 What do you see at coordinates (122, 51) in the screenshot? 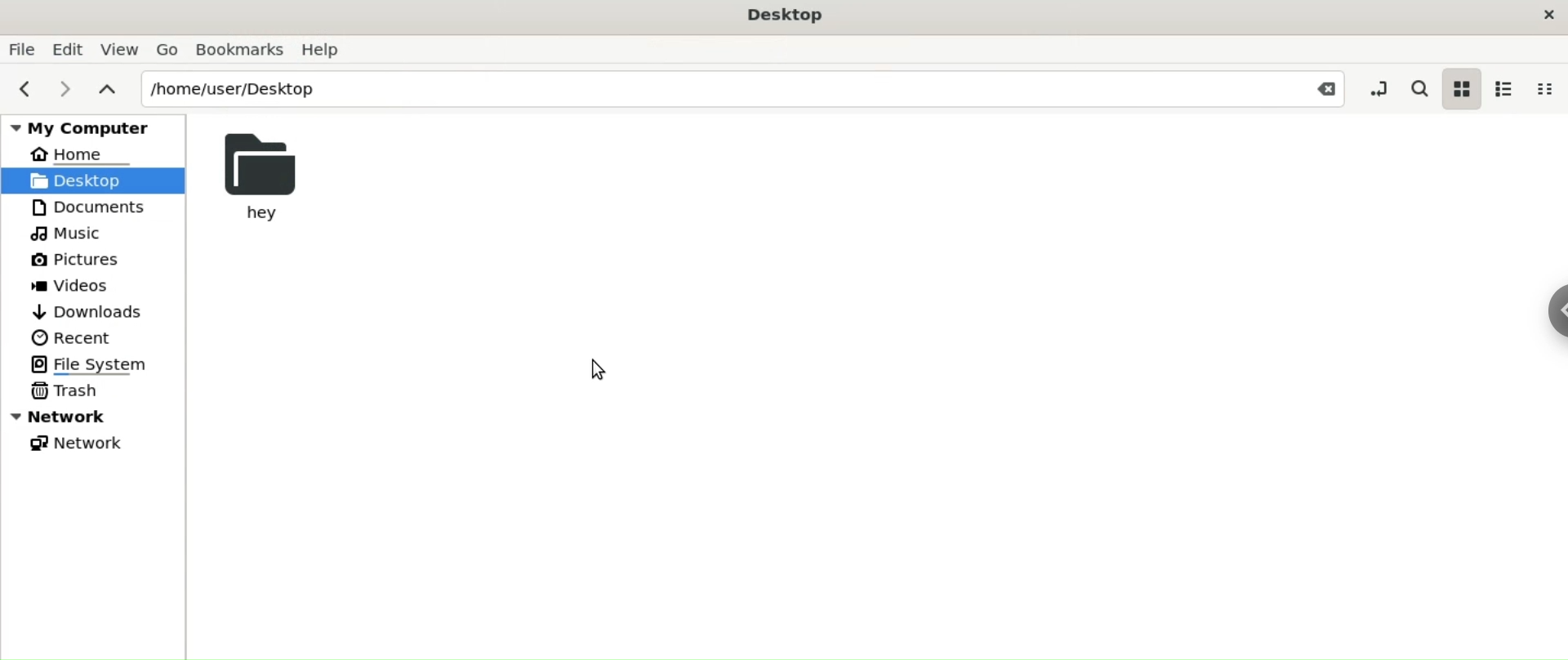
I see `View` at bounding box center [122, 51].